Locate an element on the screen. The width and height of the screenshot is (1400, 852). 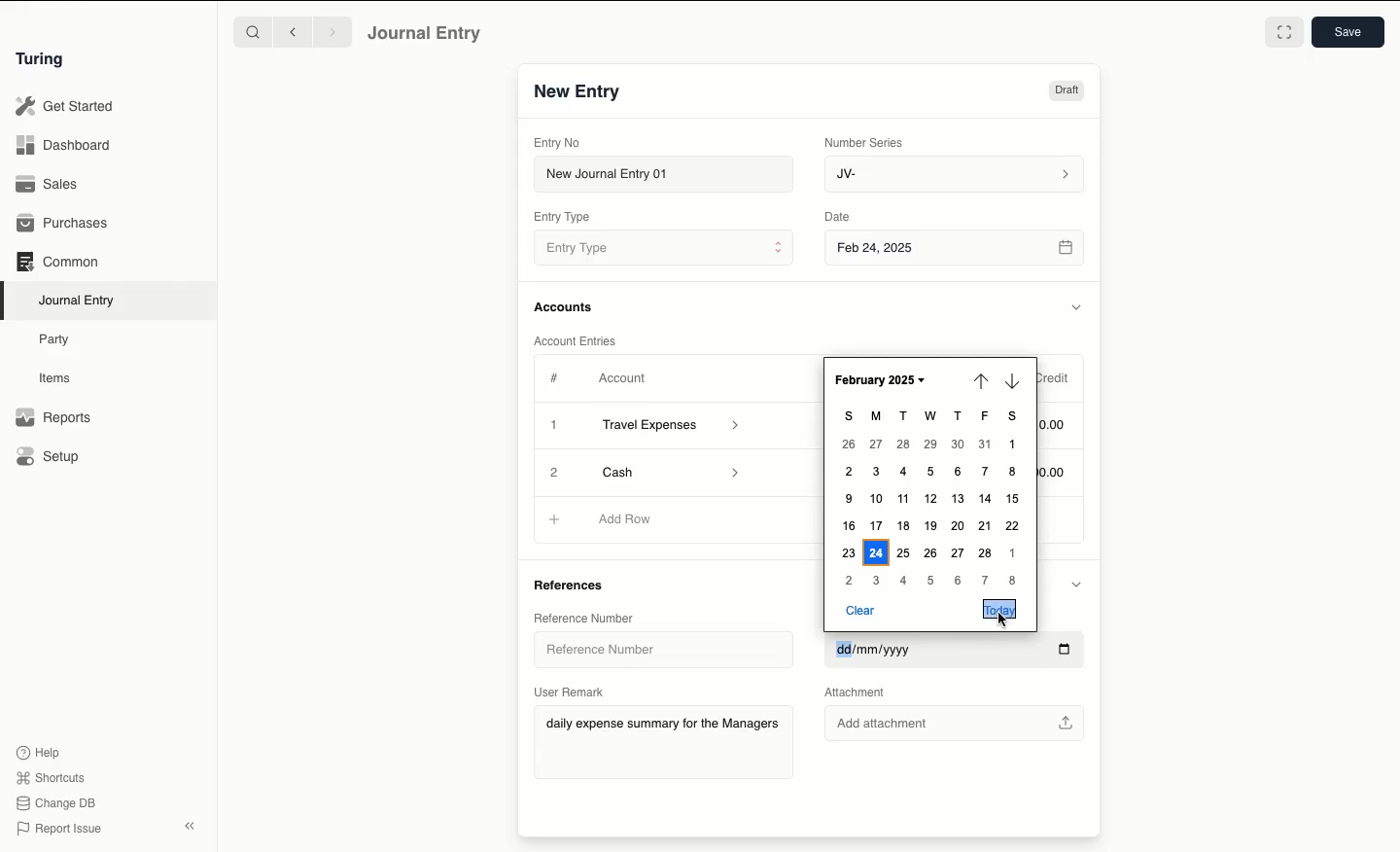
0.00 is located at coordinates (1058, 422).